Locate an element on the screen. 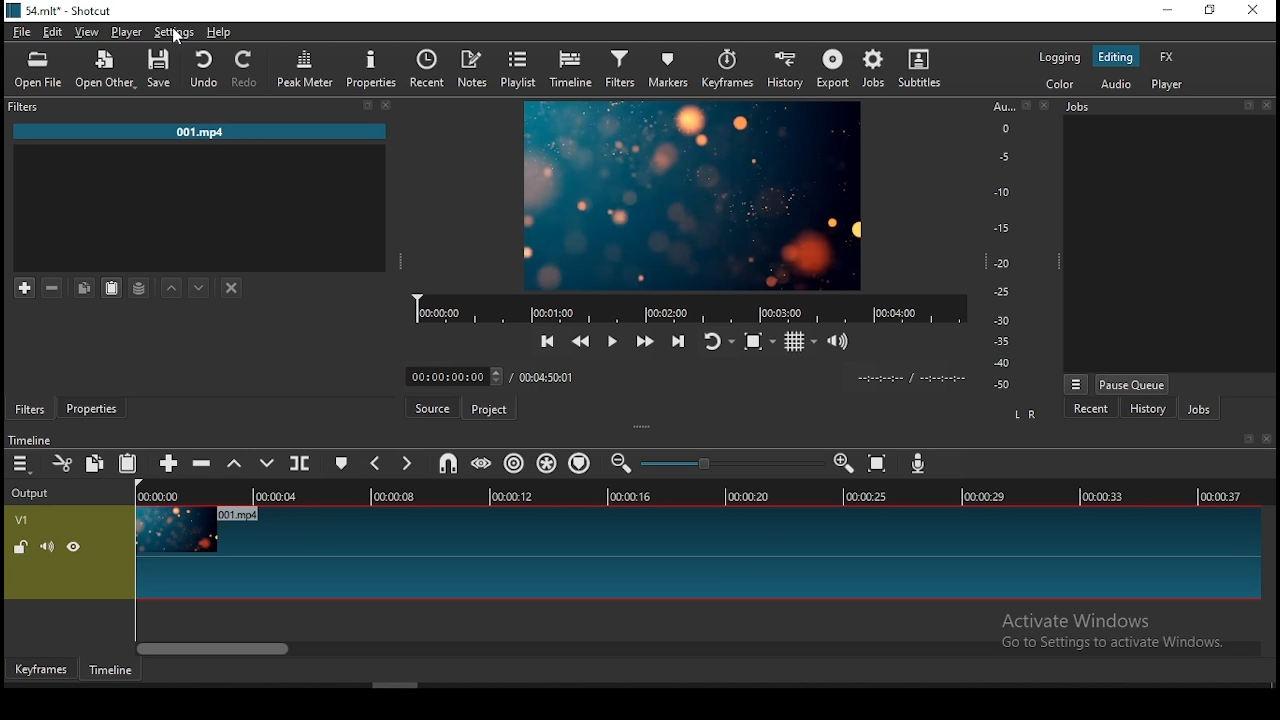 This screenshot has height=720, width=1280. zoom timeline in is located at coordinates (623, 464).